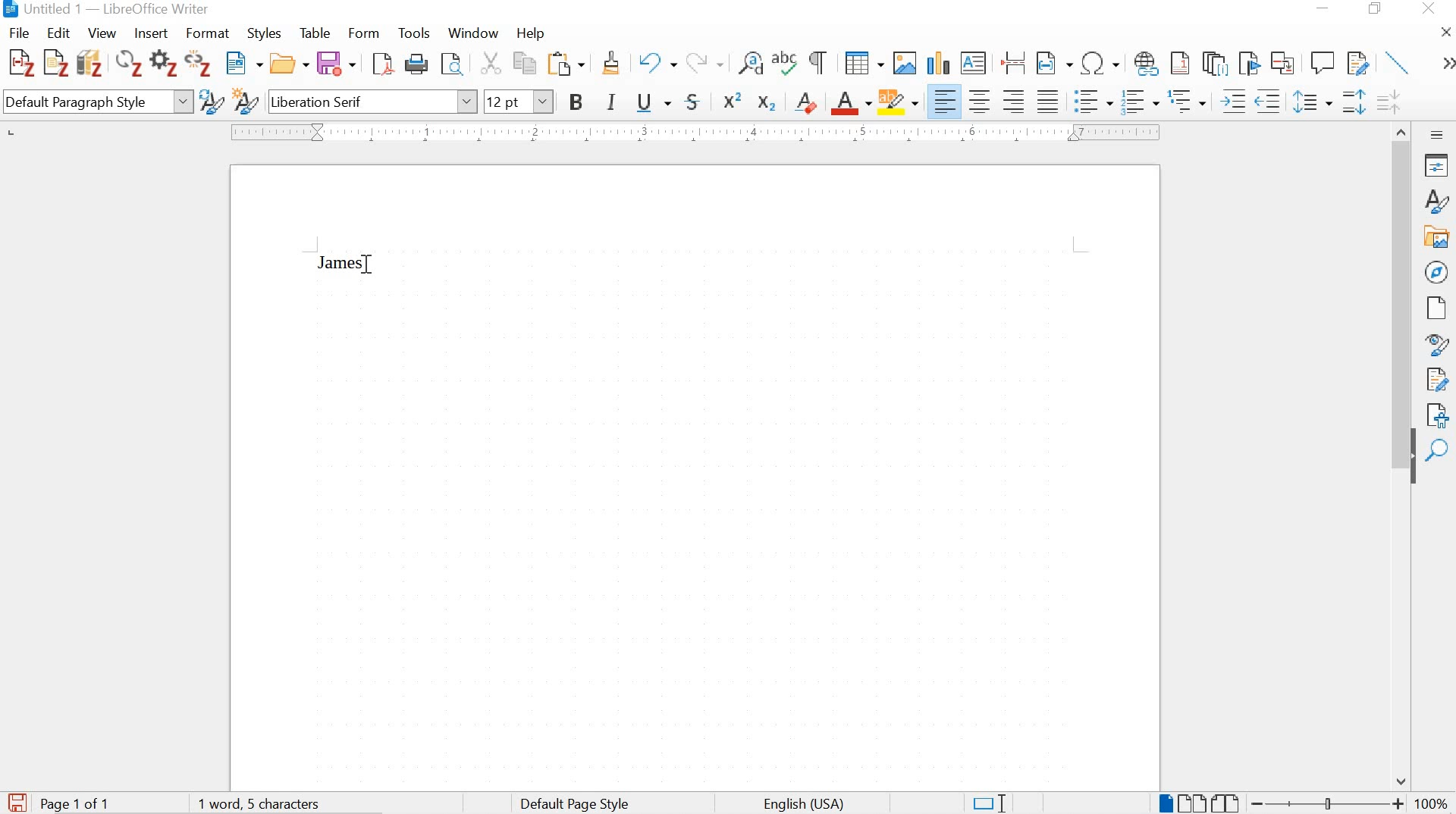 Image resolution: width=1456 pixels, height=814 pixels. I want to click on font name, so click(372, 102).